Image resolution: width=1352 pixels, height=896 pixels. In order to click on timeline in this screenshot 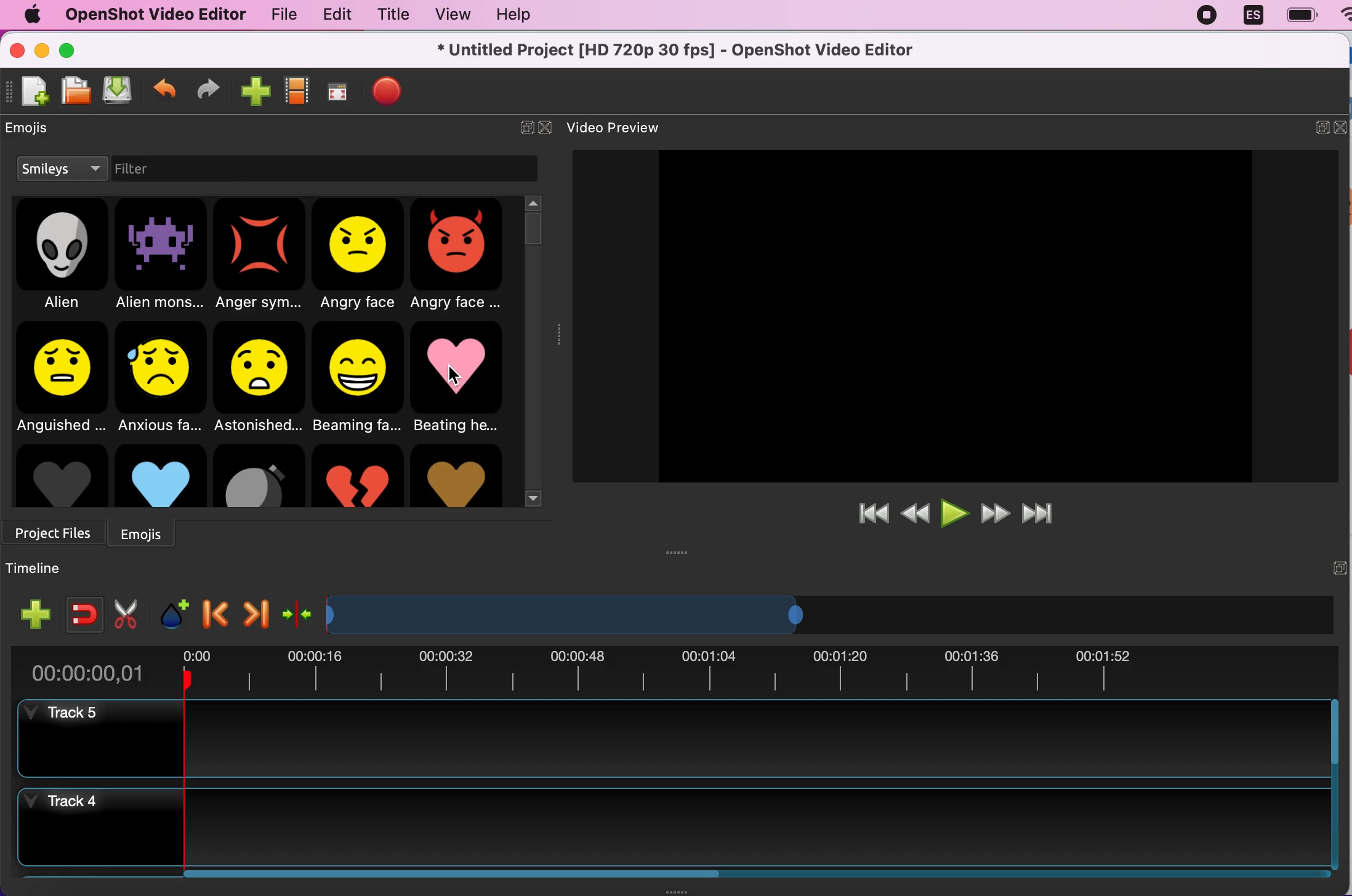, I will do `click(40, 569)`.